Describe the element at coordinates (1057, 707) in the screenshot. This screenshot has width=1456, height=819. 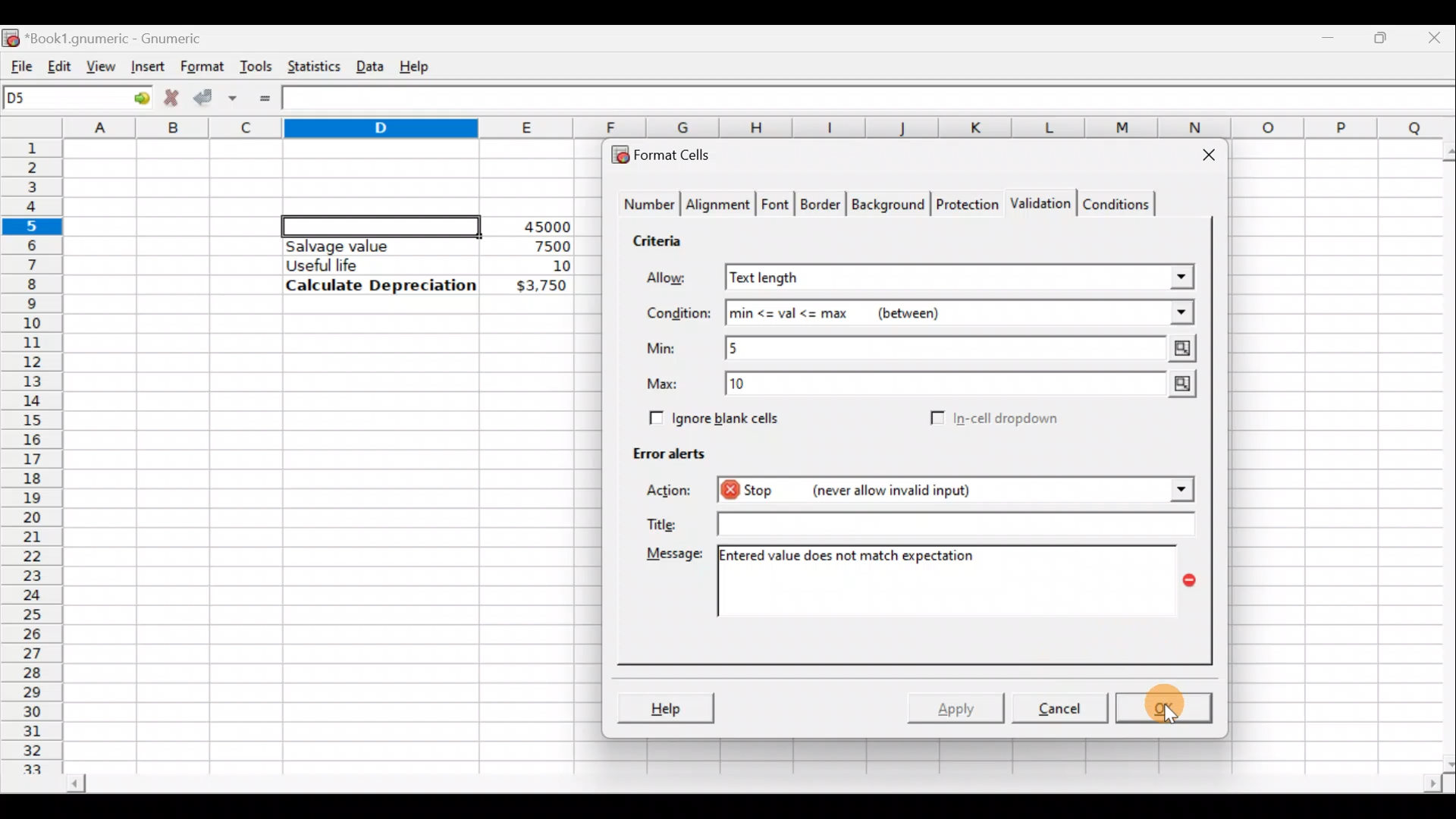
I see `Cancel` at that location.